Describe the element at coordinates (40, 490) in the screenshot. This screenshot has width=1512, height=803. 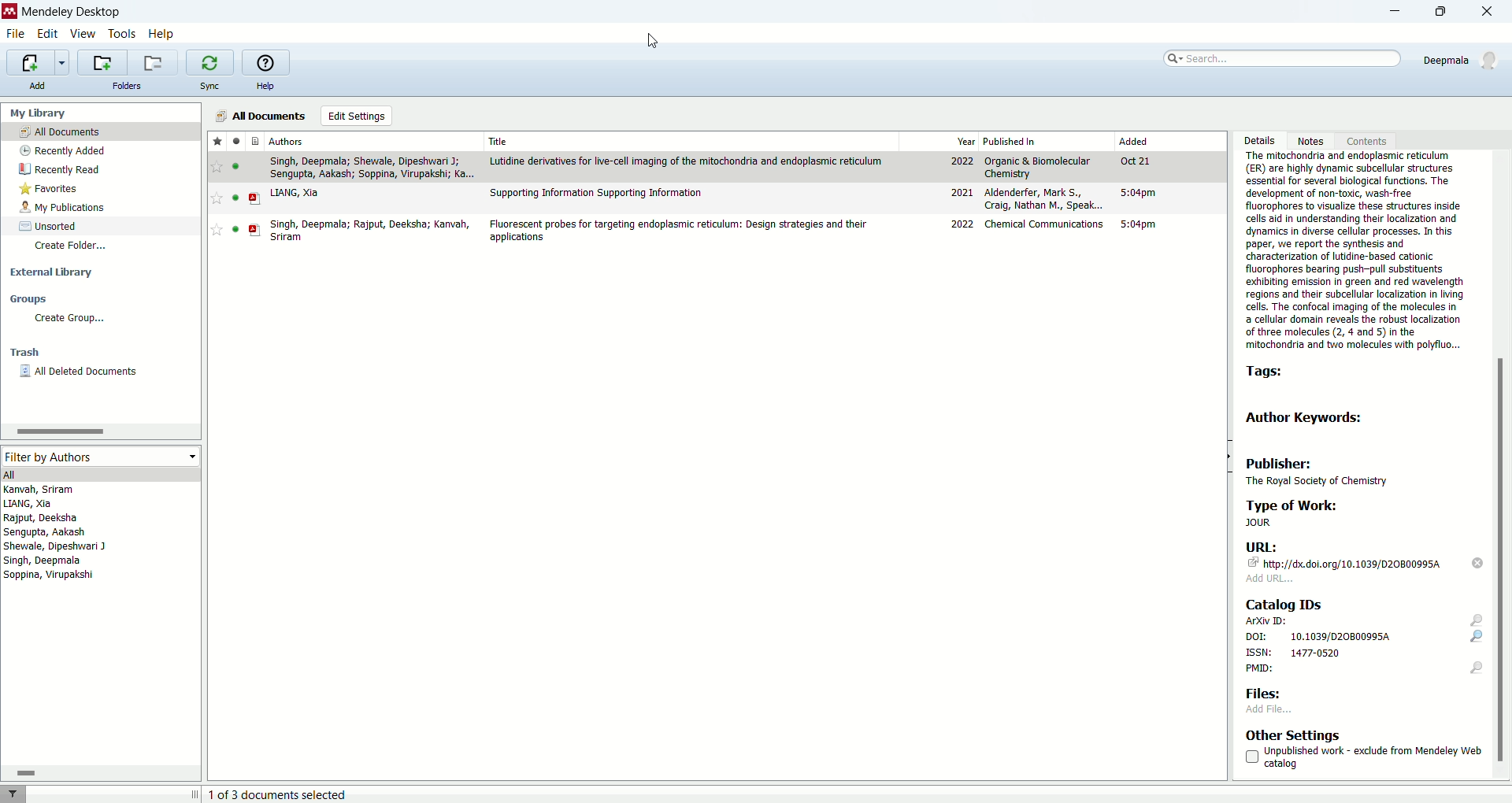
I see `kanvah, sriram` at that location.